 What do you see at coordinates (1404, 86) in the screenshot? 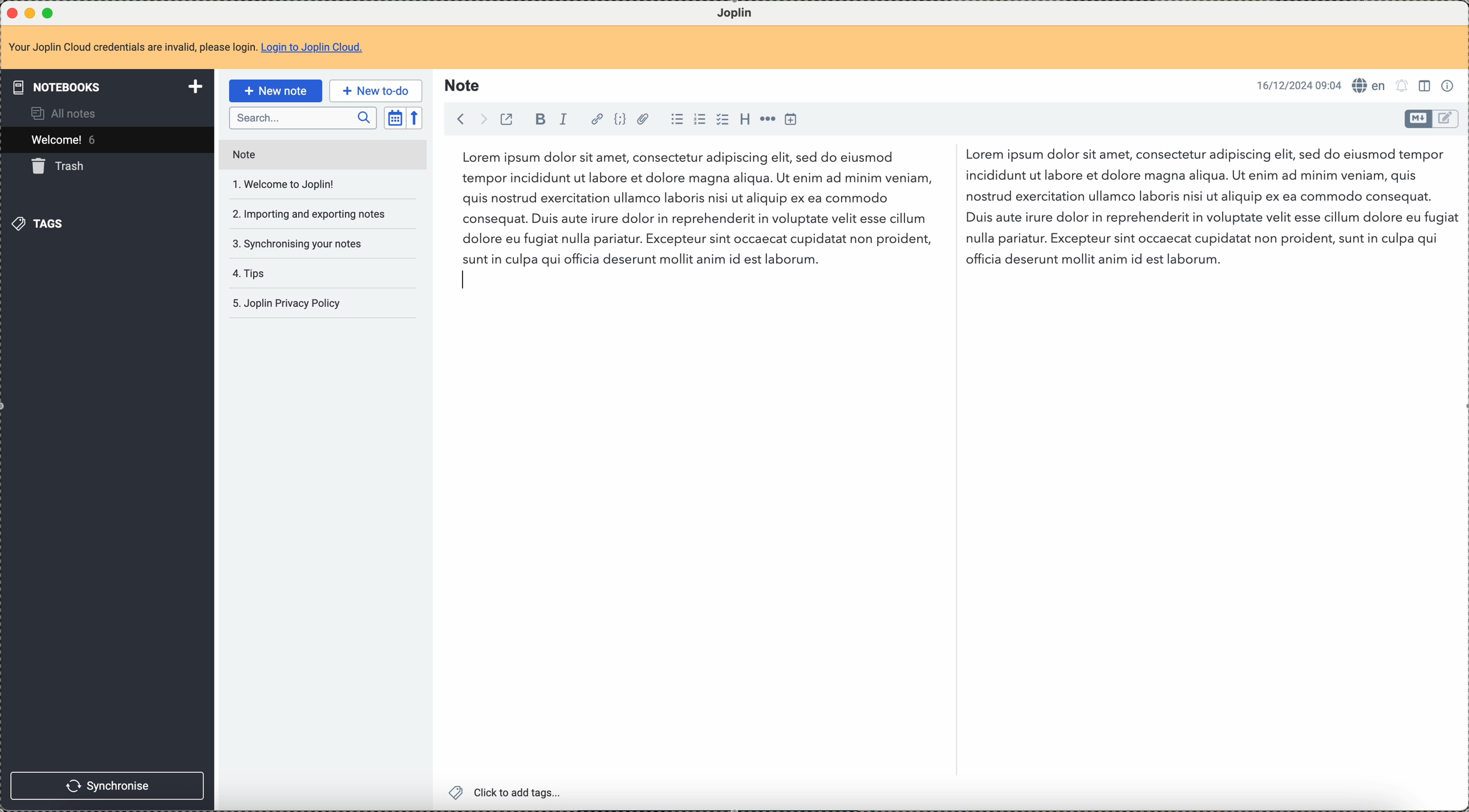
I see `set notifications` at bounding box center [1404, 86].